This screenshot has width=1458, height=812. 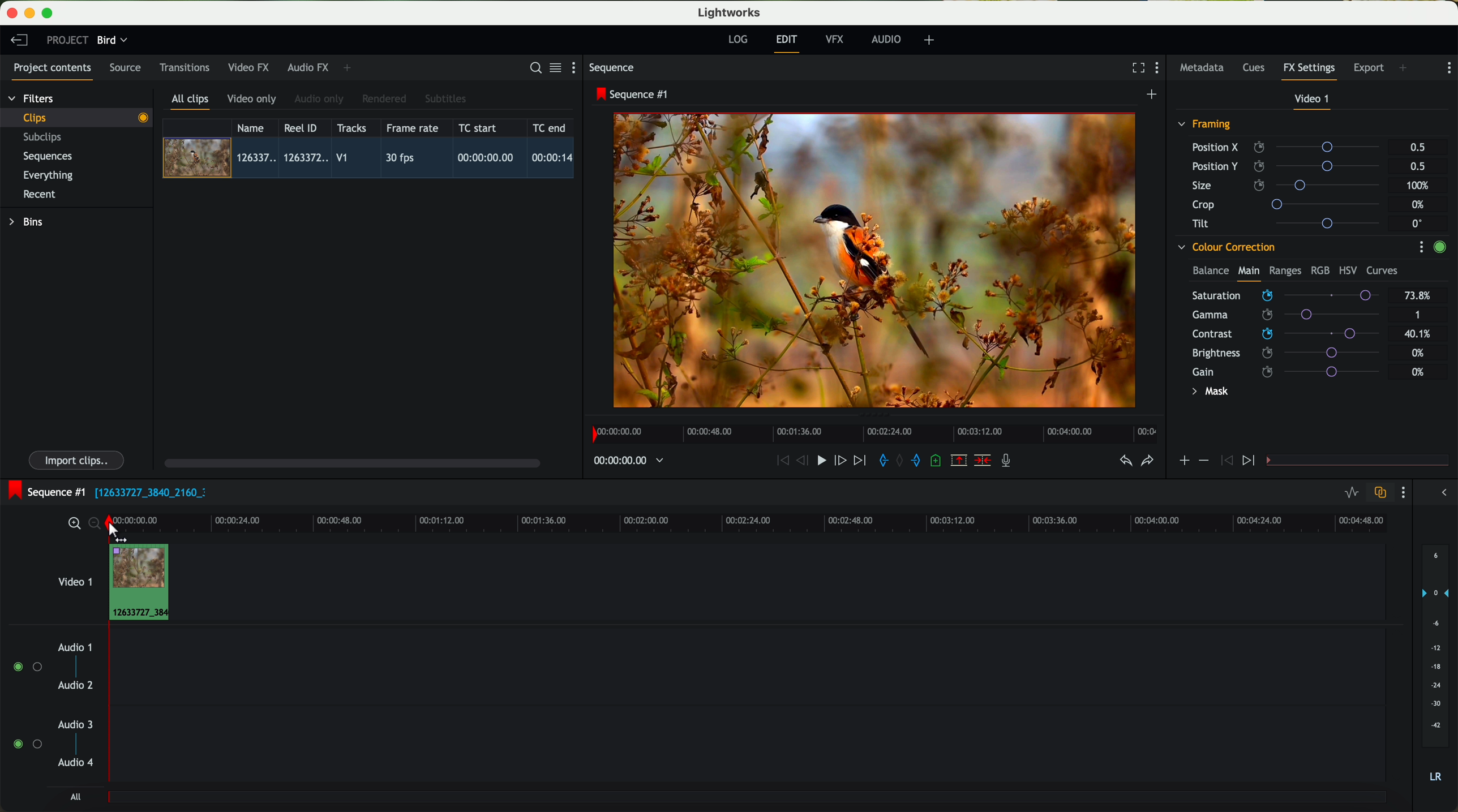 What do you see at coordinates (78, 459) in the screenshot?
I see `import clips` at bounding box center [78, 459].